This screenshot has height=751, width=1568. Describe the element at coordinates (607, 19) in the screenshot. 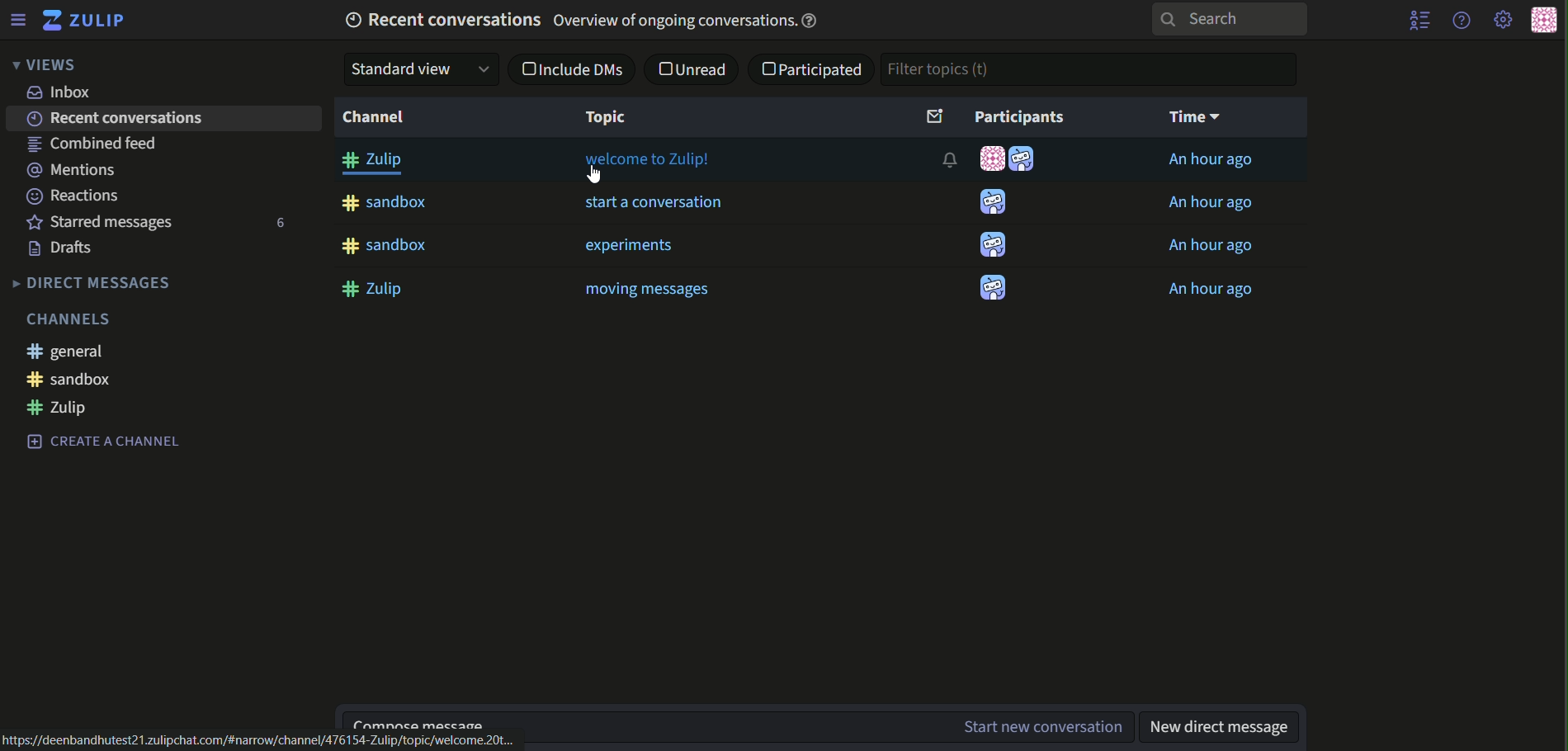

I see `text` at that location.